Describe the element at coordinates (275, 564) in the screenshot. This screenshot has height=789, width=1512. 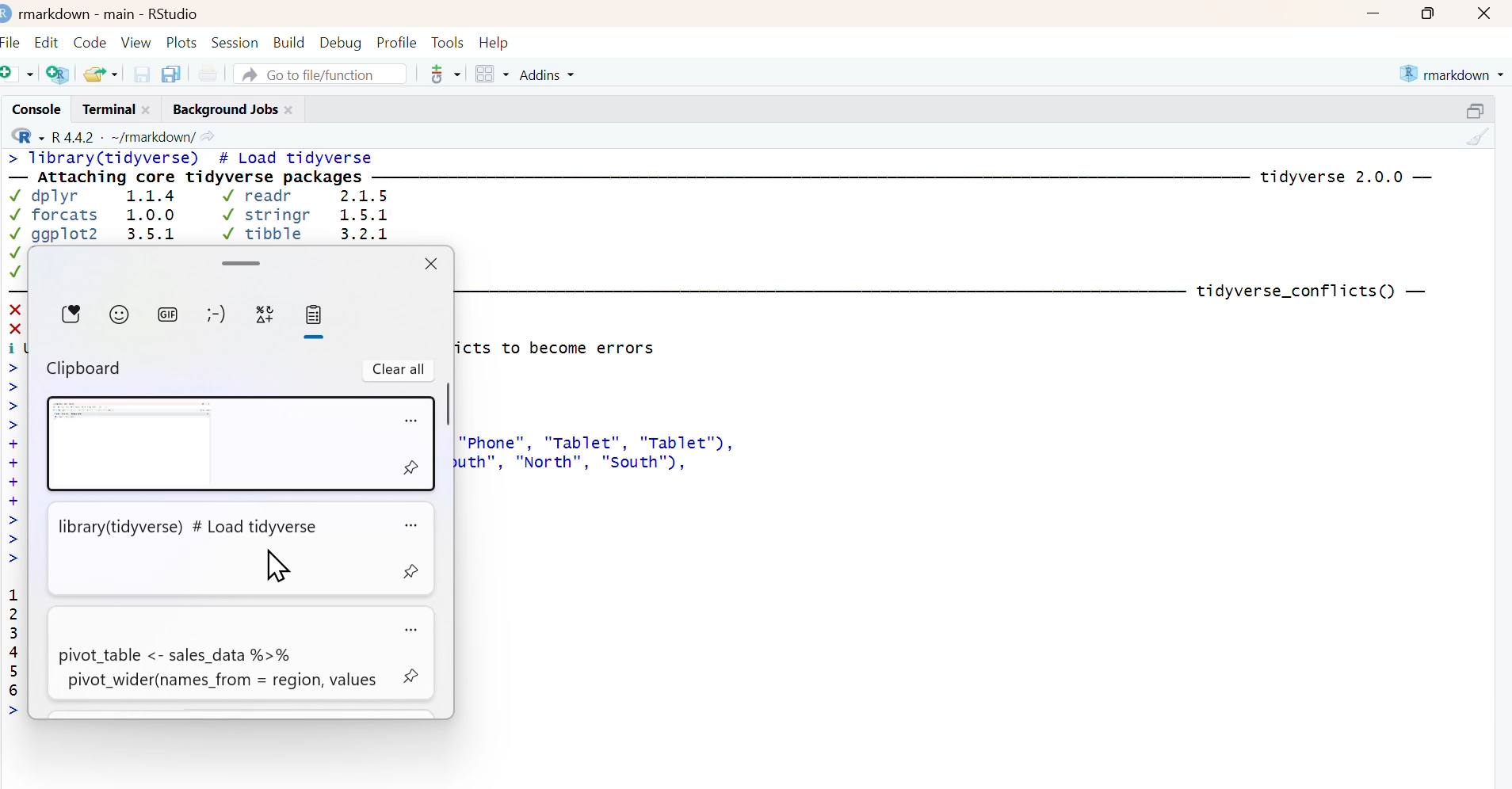
I see `cursor` at that location.